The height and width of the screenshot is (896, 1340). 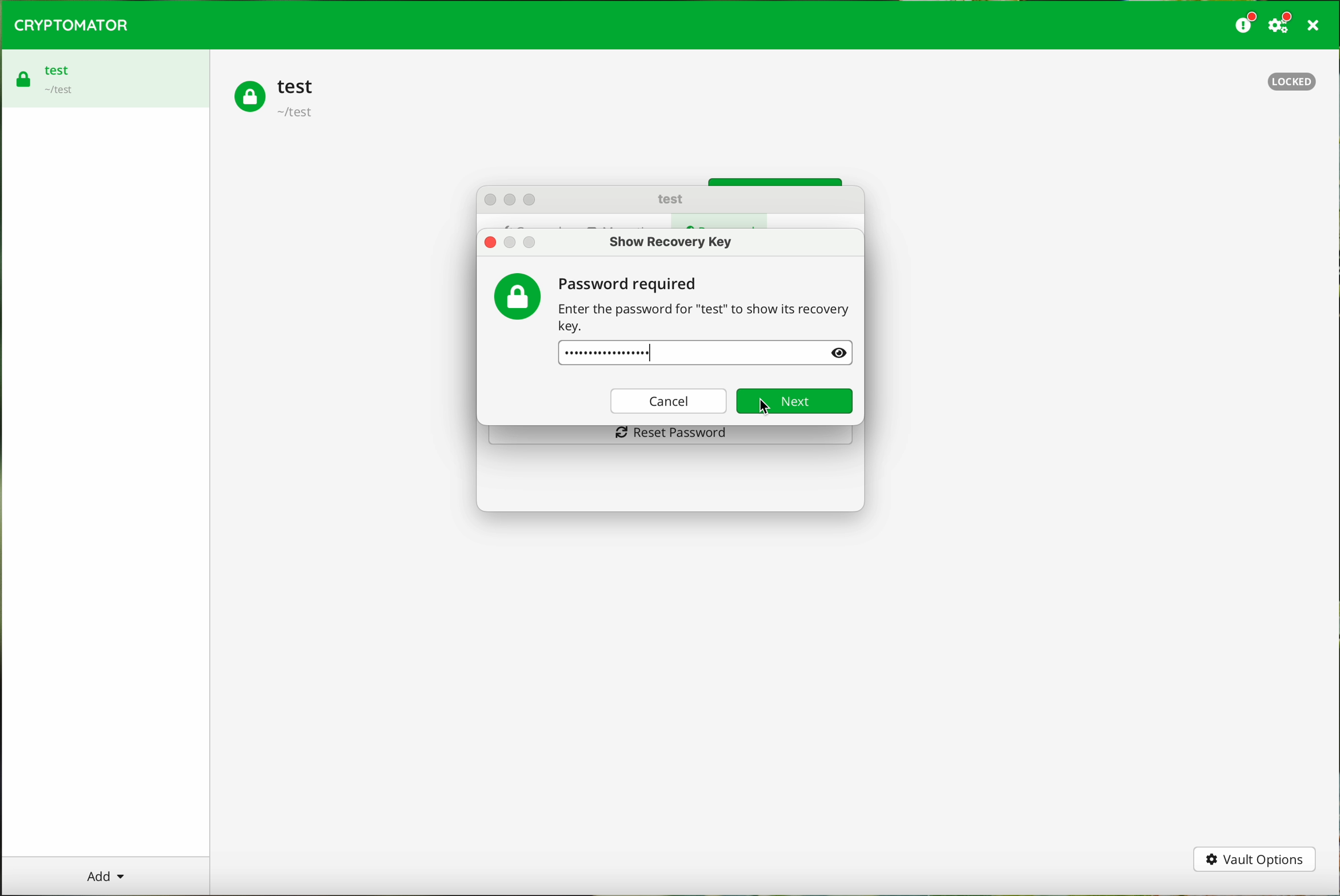 I want to click on settings, so click(x=1282, y=23).